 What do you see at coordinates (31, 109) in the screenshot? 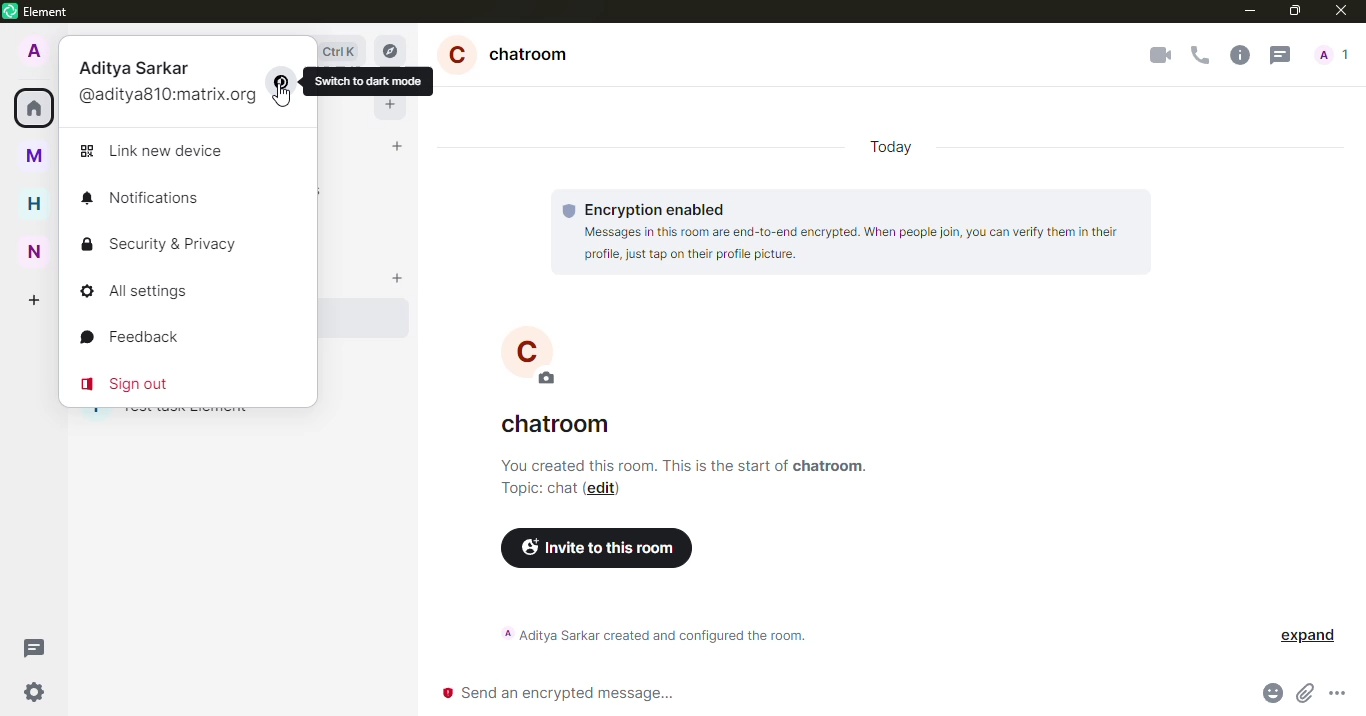
I see `home` at bounding box center [31, 109].